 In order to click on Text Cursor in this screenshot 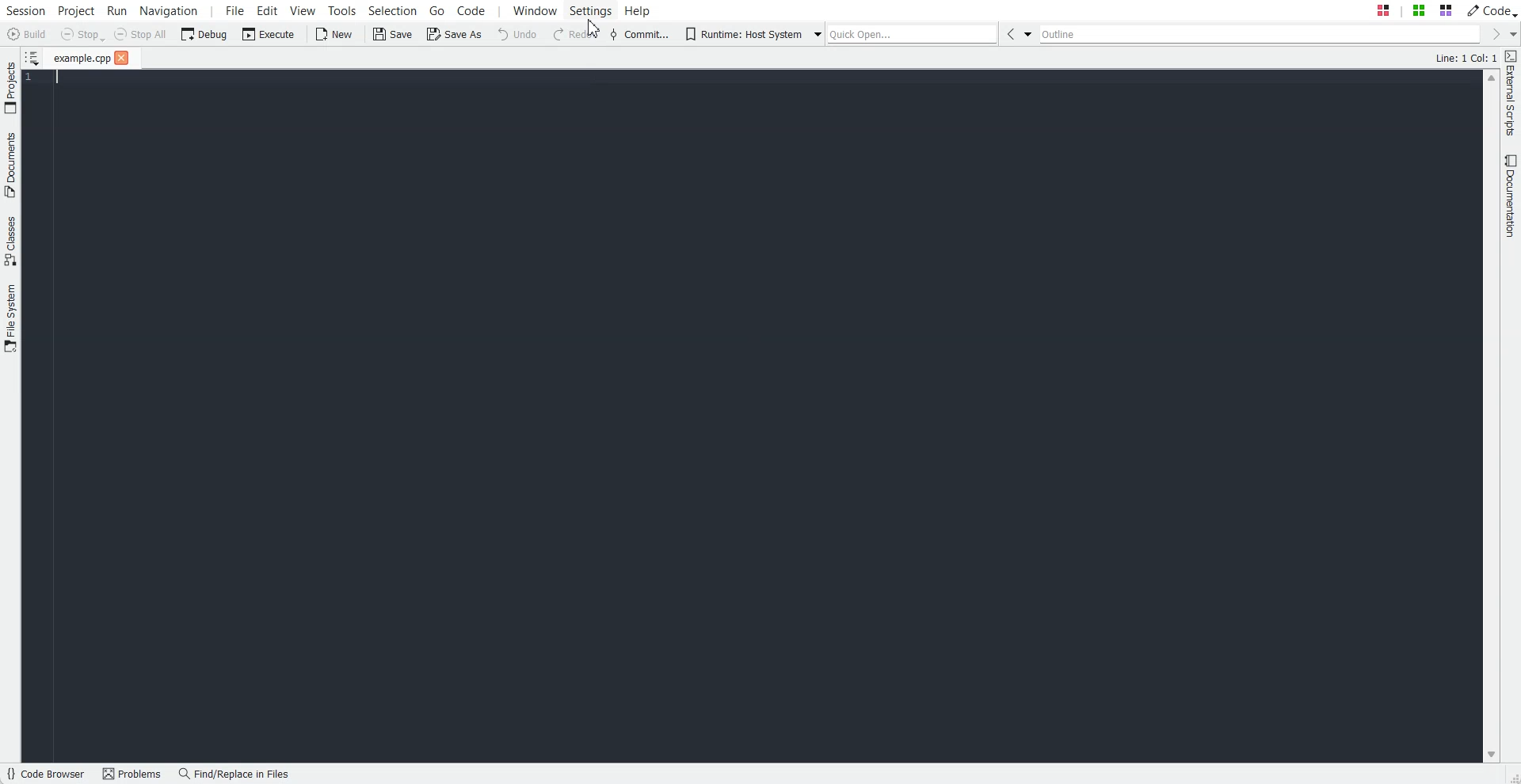, I will do `click(51, 78)`.